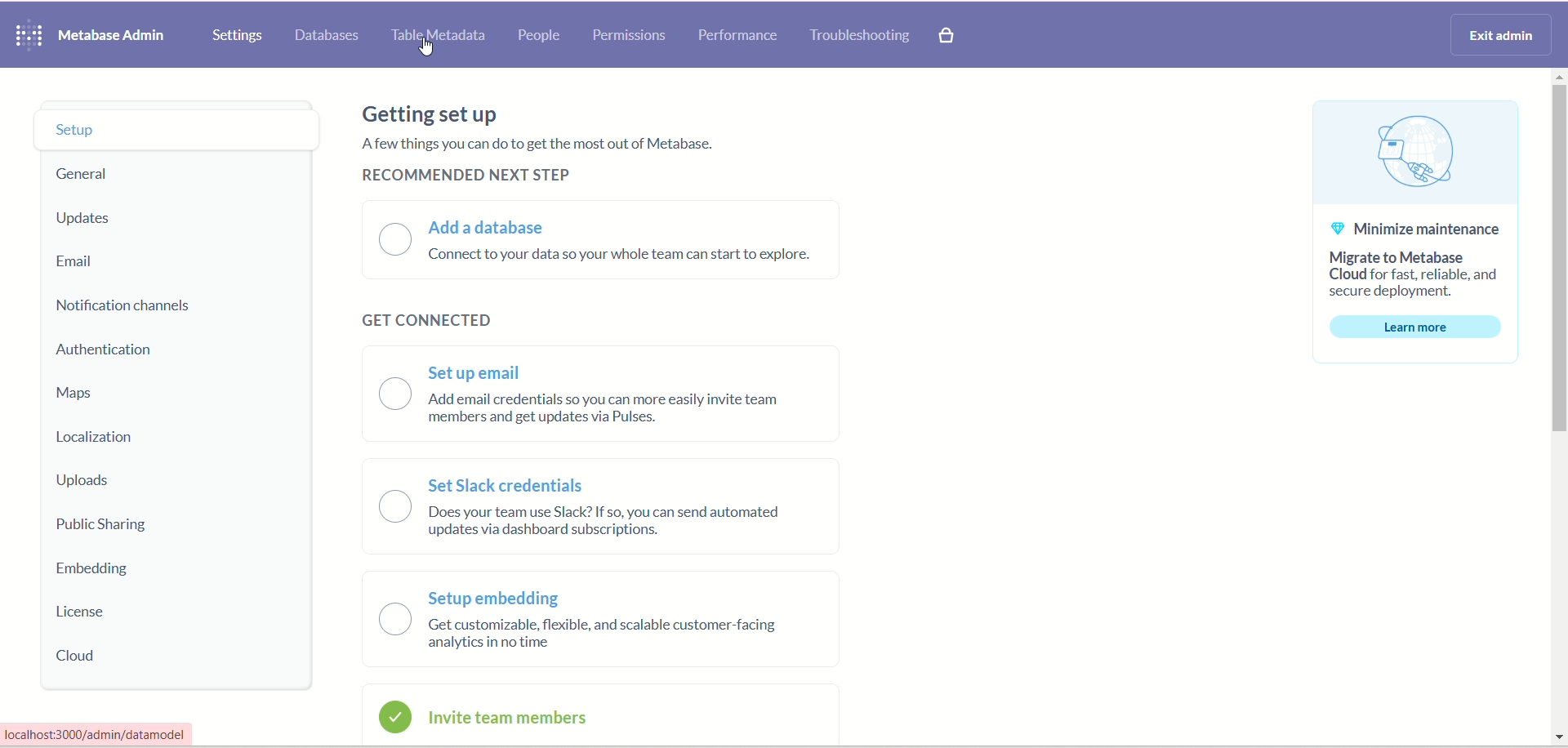 Image resolution: width=1568 pixels, height=748 pixels. Describe the element at coordinates (644, 228) in the screenshot. I see `add a database ` at that location.